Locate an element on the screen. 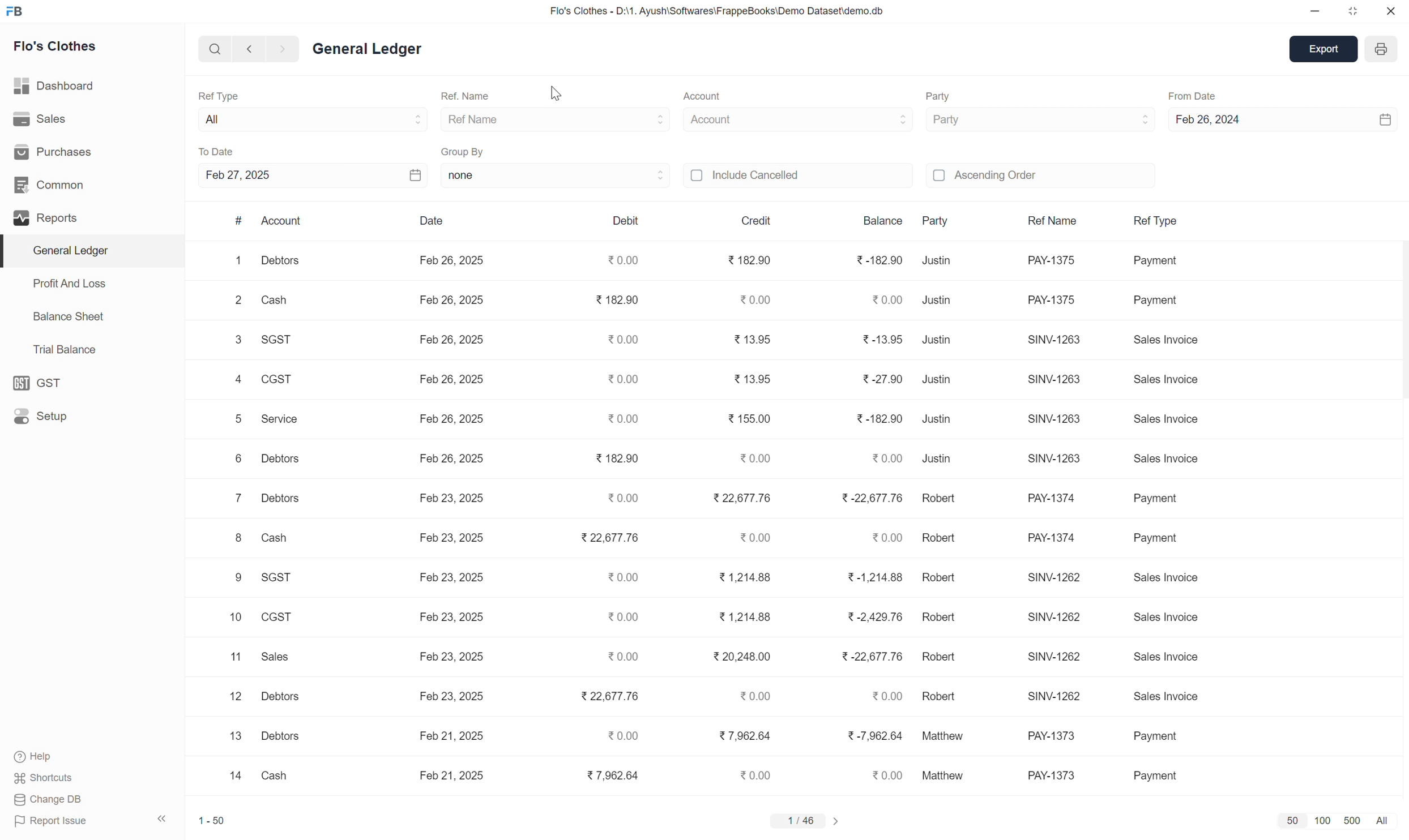 The image size is (1409, 840). 22,677.76 is located at coordinates (613, 538).